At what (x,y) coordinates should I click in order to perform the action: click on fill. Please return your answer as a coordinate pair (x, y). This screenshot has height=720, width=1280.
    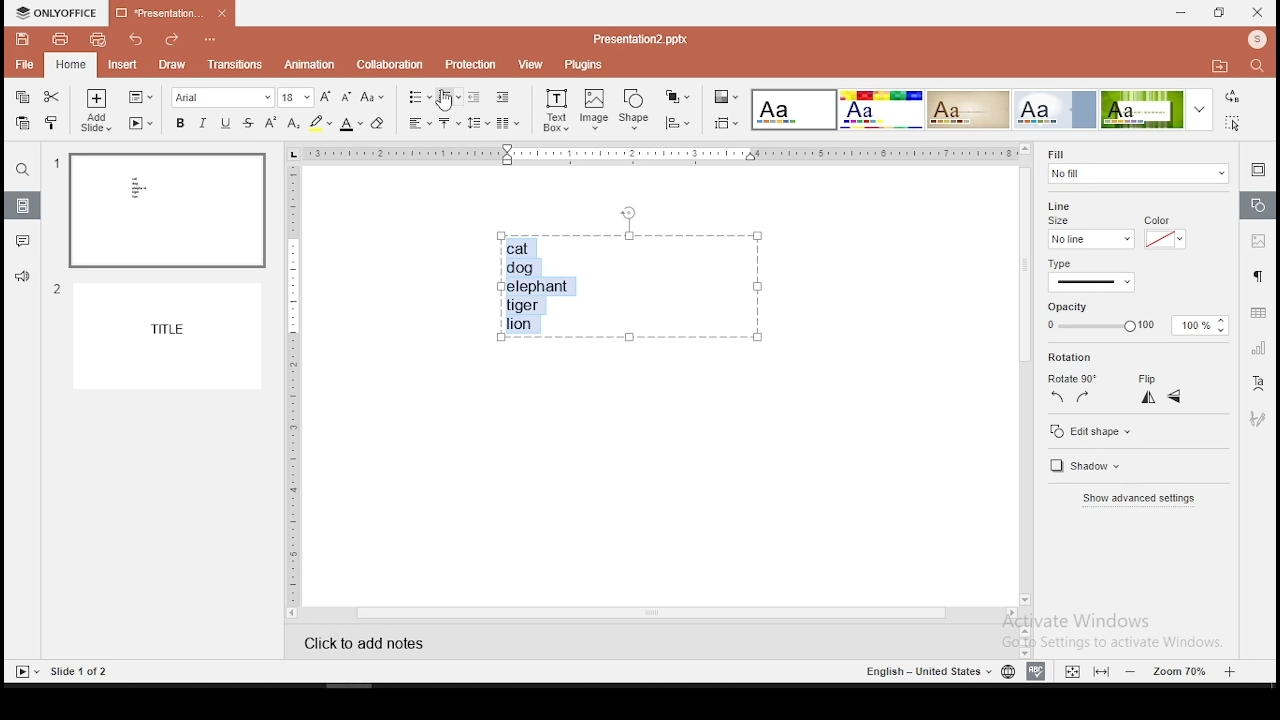
    Looking at the image, I should click on (1135, 168).